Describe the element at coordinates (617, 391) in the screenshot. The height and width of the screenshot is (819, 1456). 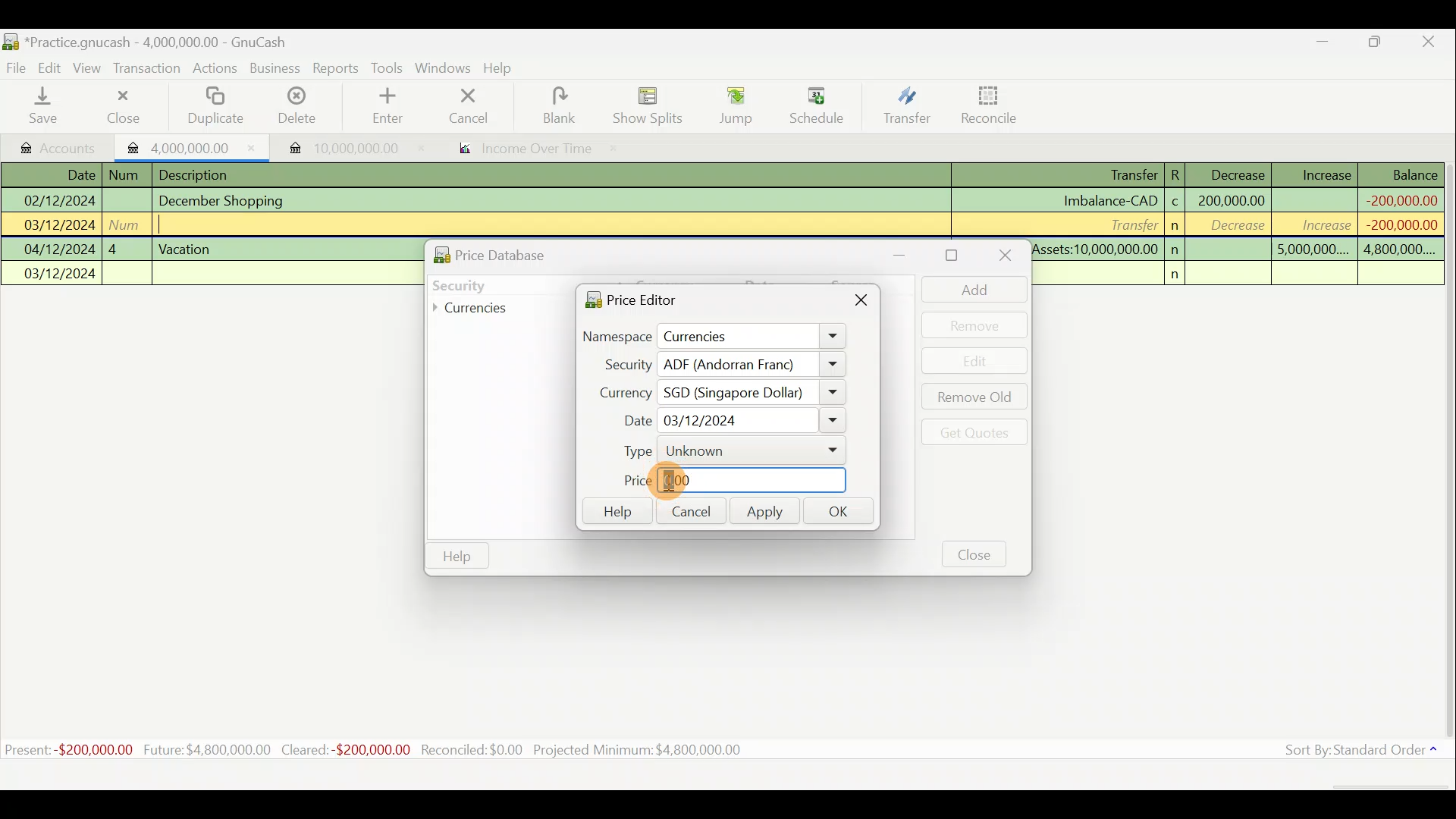
I see `Currency` at that location.